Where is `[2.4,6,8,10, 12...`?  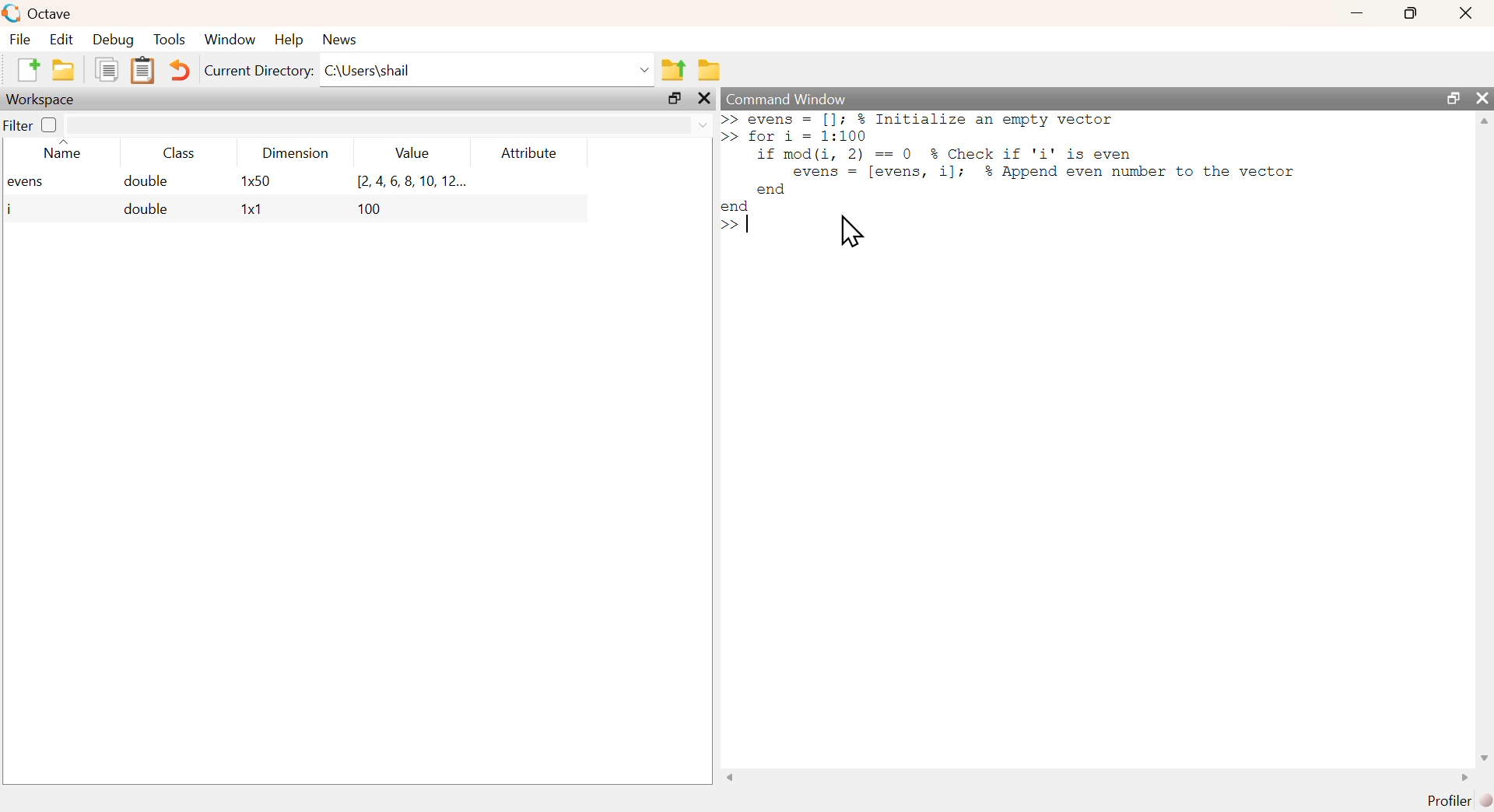
[2.4,6,8,10, 12... is located at coordinates (412, 181).